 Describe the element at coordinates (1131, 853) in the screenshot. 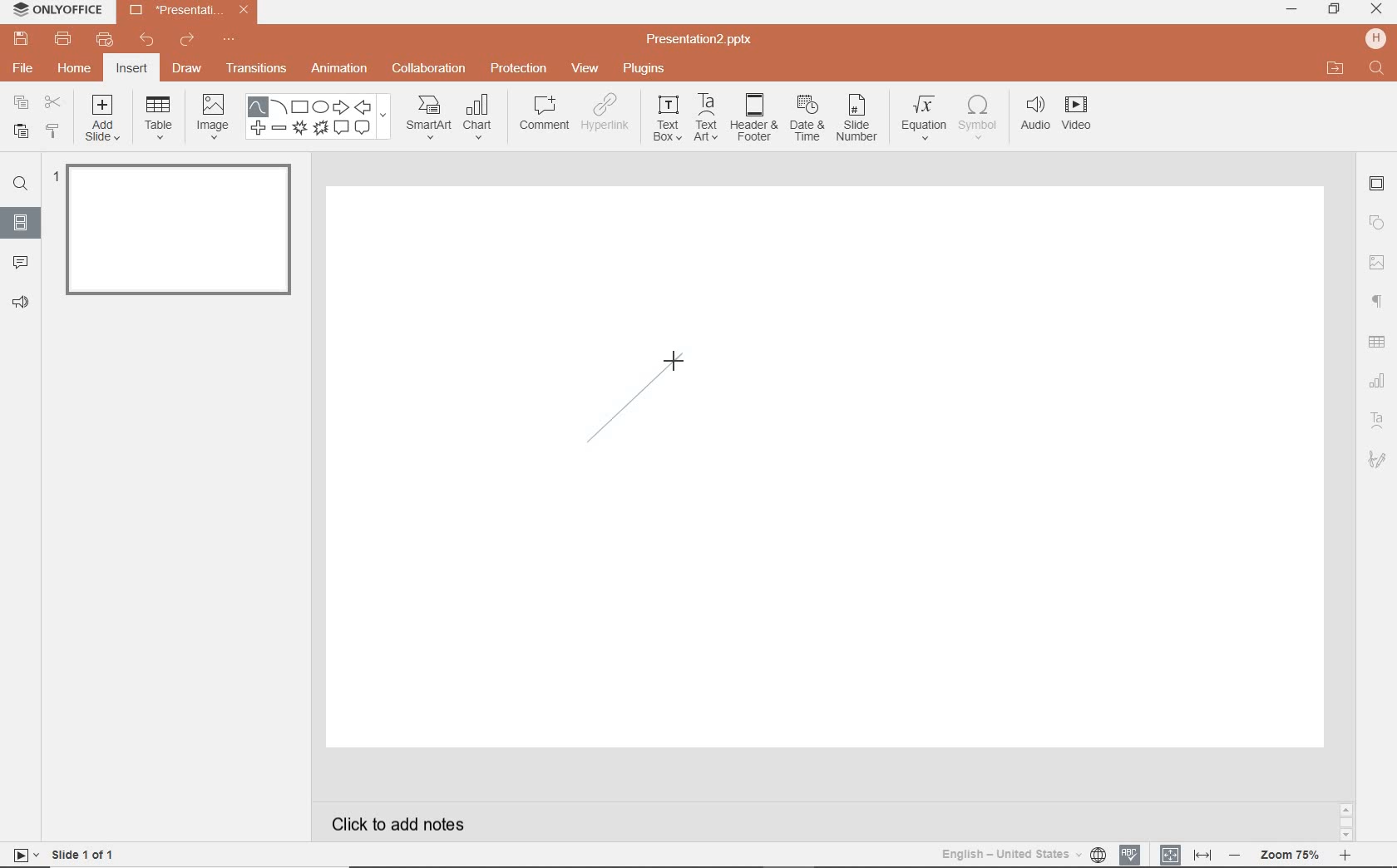

I see `SPELL CHECKING` at that location.